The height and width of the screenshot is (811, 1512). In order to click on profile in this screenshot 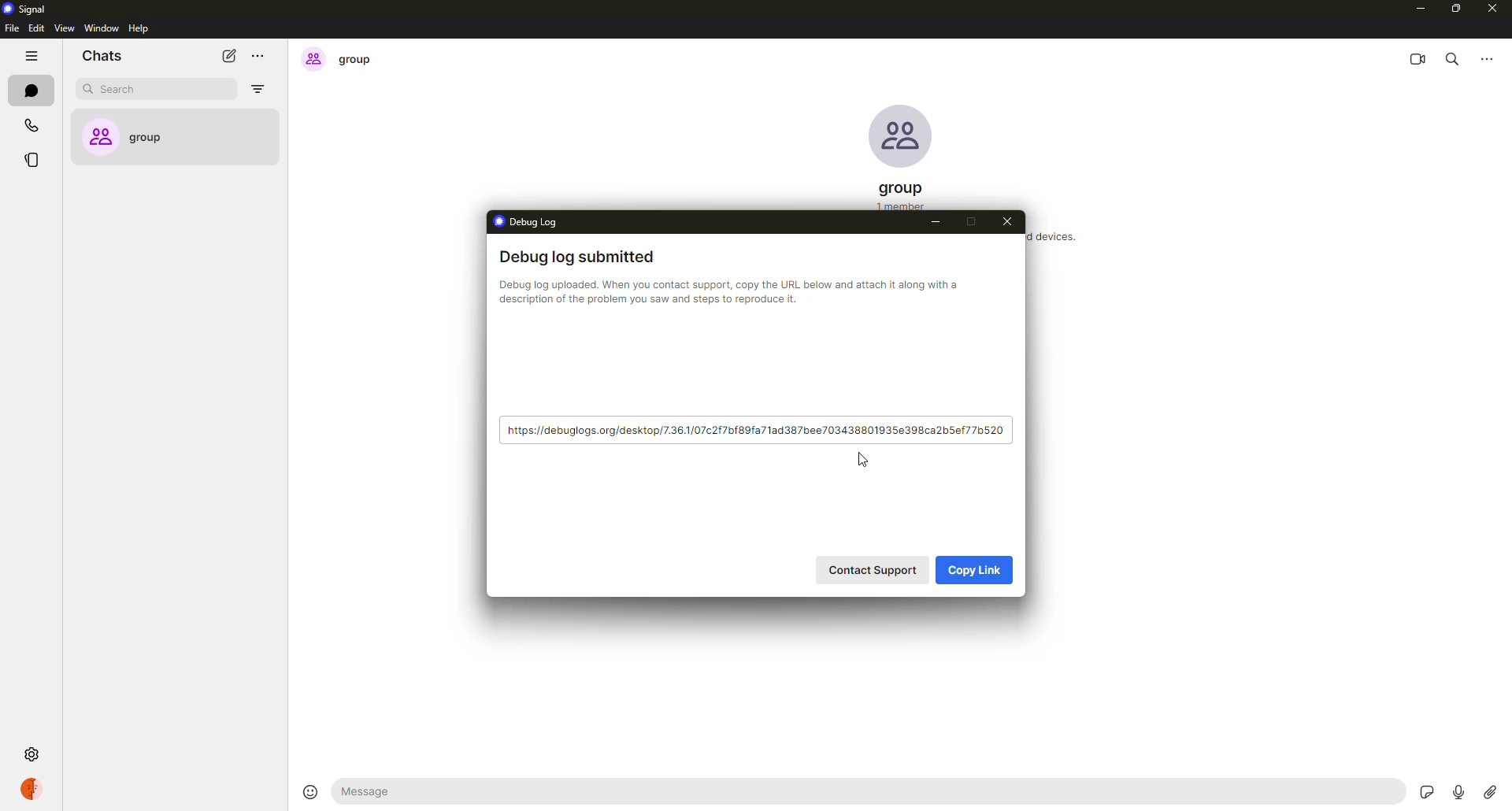, I will do `click(39, 791)`.